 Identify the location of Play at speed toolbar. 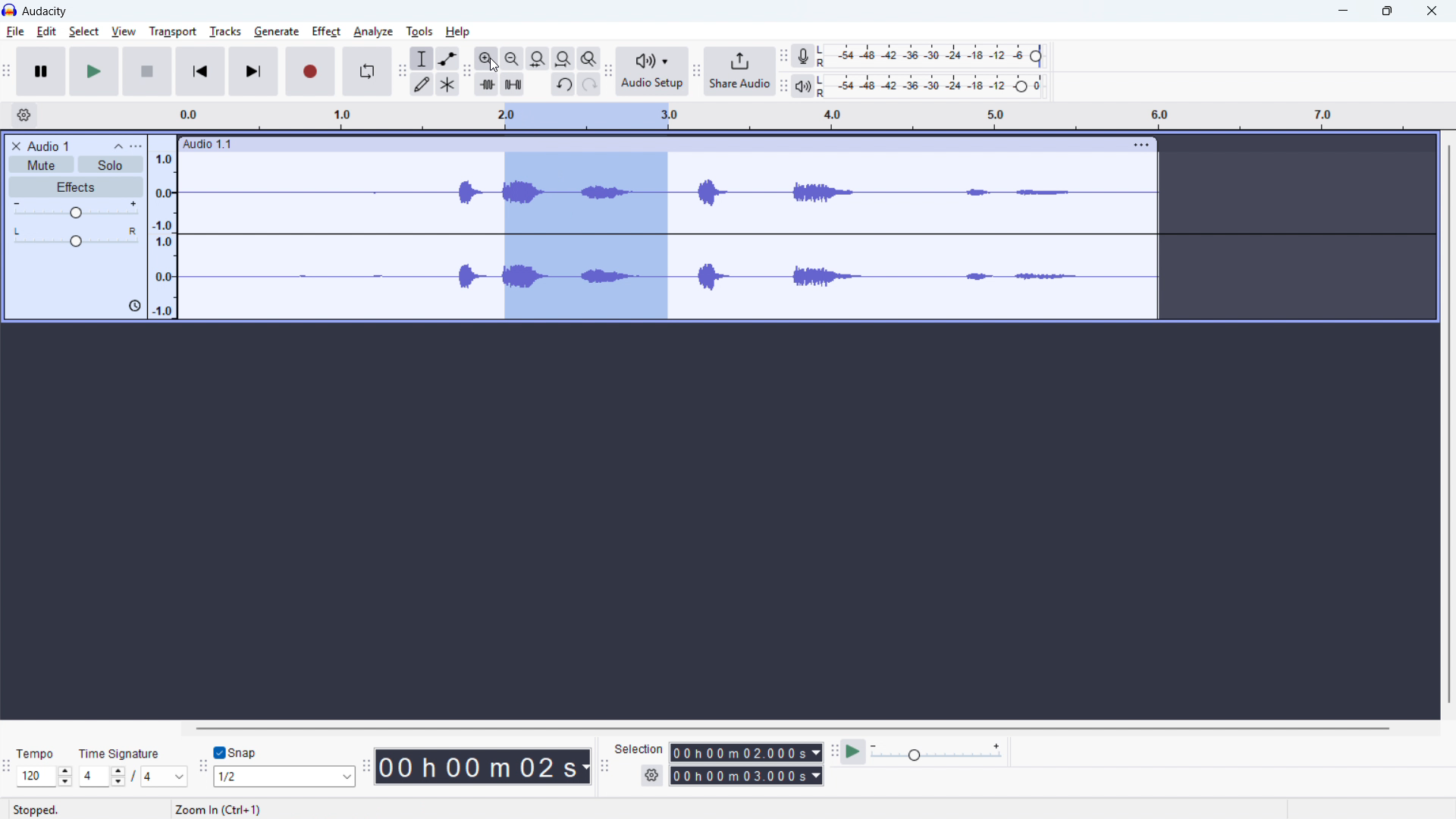
(833, 752).